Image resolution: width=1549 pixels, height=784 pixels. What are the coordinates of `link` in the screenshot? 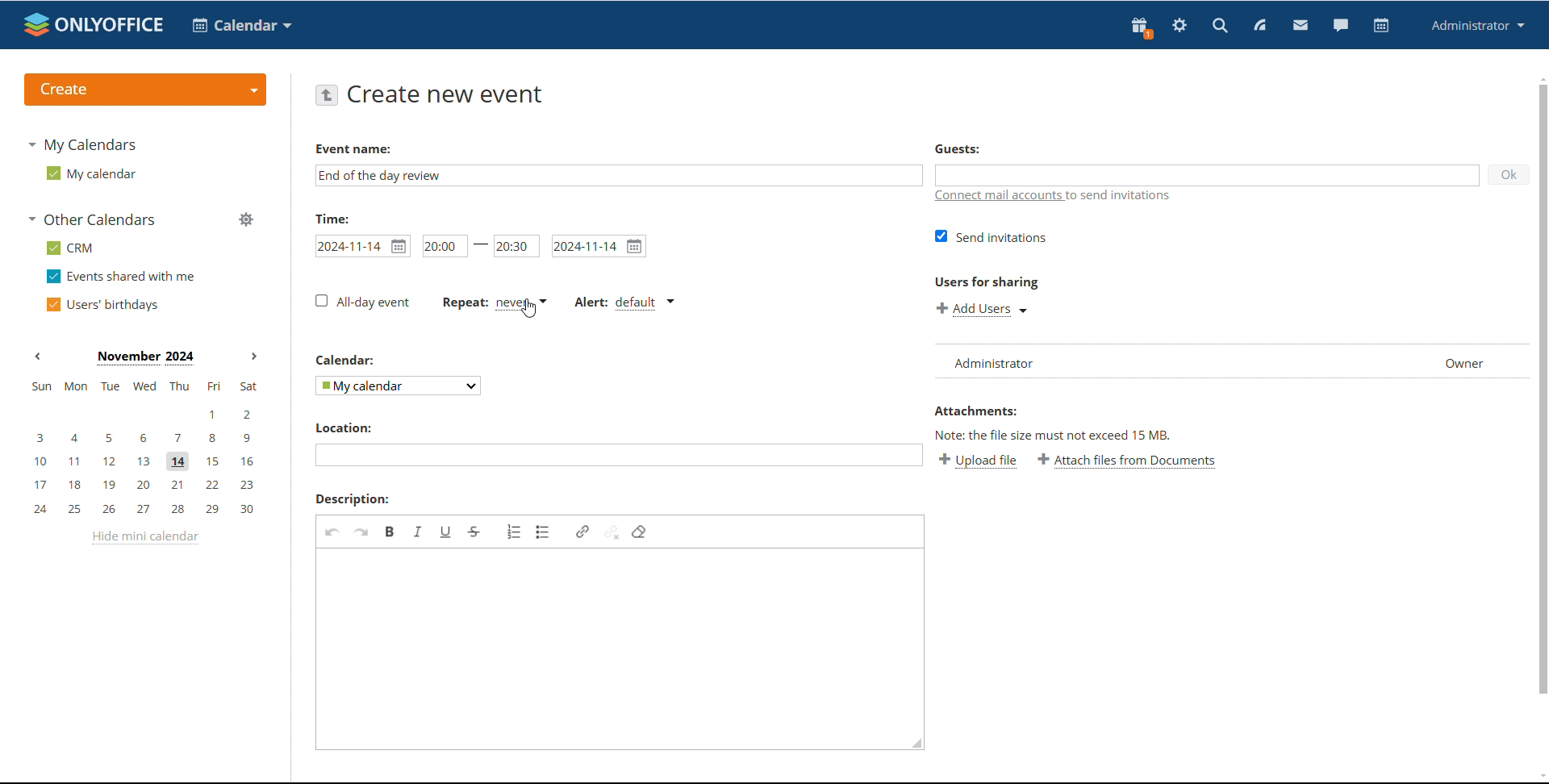 It's located at (582, 532).